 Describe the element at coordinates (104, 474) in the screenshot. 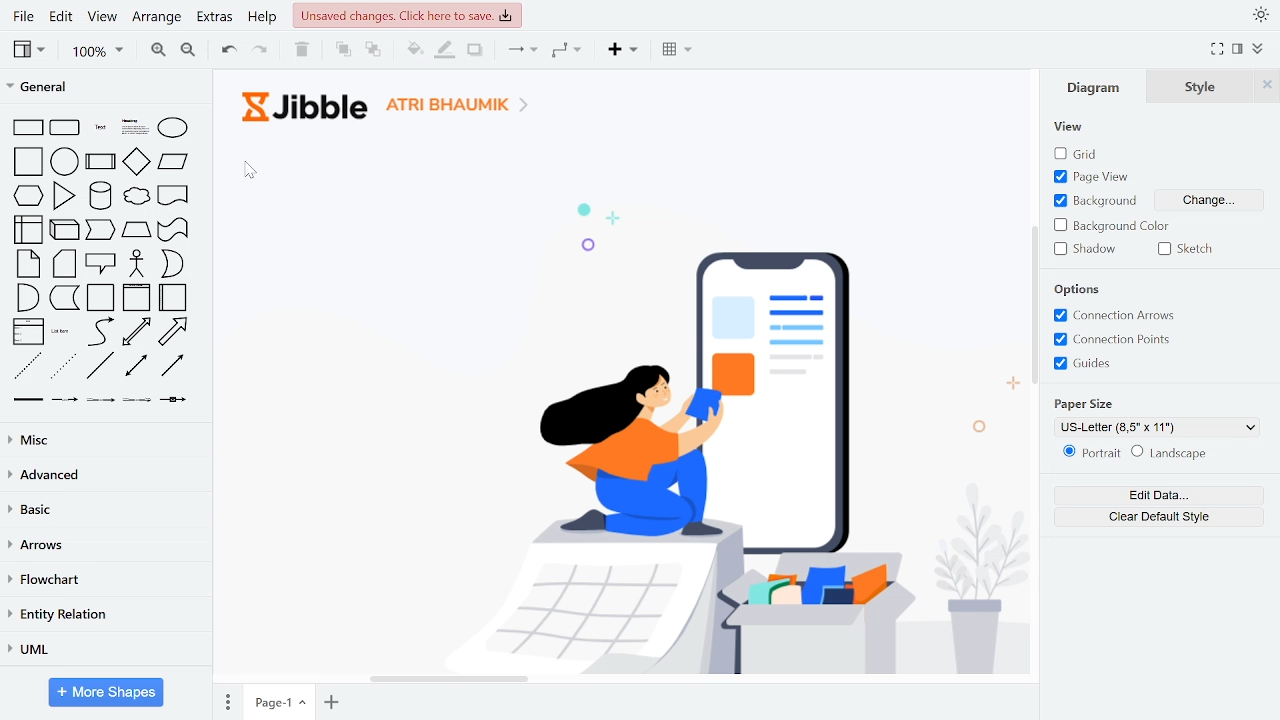

I see `advanced` at that location.